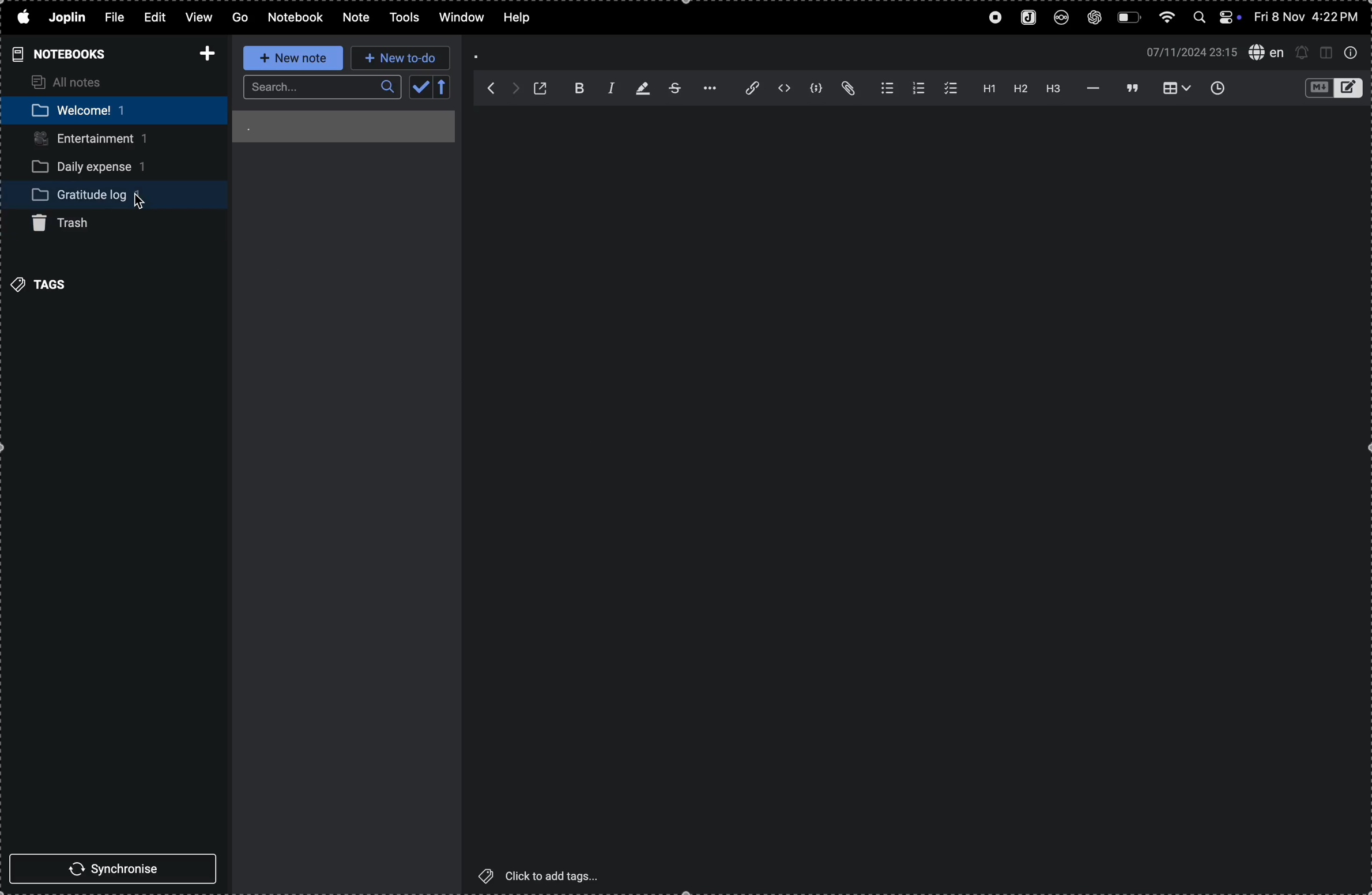  I want to click on , so click(1336, 87).